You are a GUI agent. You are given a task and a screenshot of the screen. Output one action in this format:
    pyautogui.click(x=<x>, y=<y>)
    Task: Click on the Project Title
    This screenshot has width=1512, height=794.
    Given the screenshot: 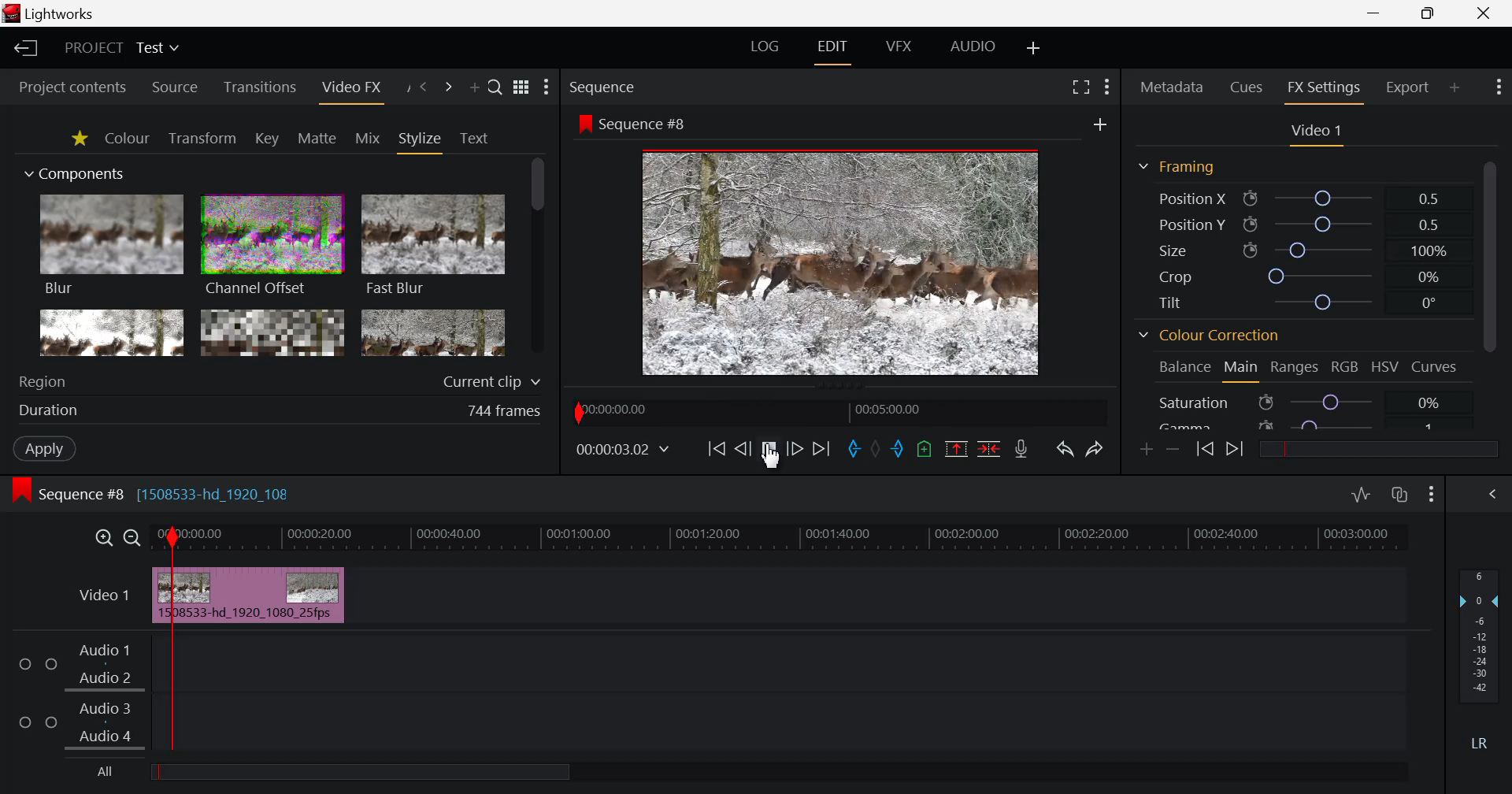 What is the action you would take?
    pyautogui.click(x=124, y=47)
    